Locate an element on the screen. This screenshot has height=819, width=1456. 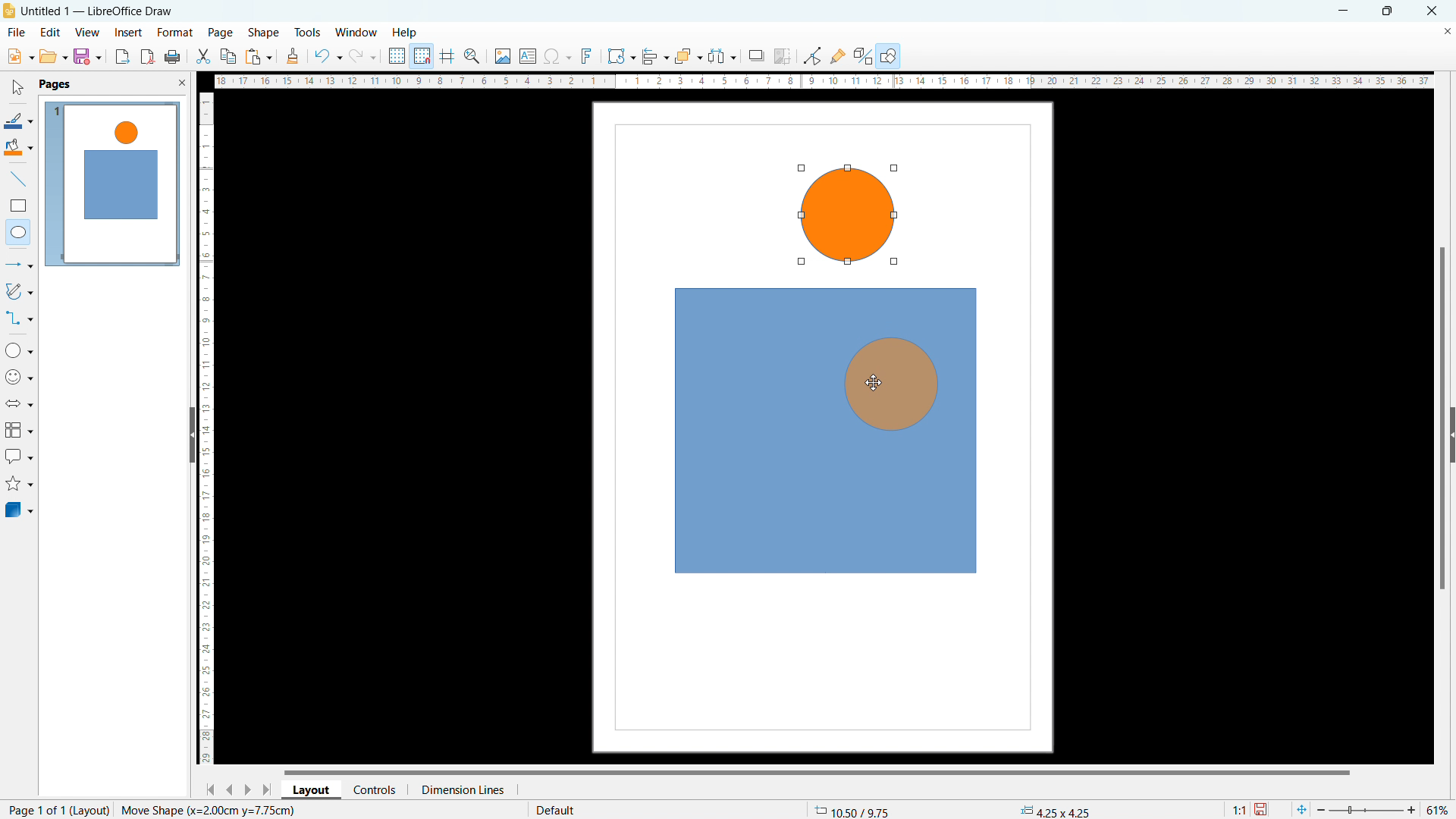
go to first page is located at coordinates (208, 789).